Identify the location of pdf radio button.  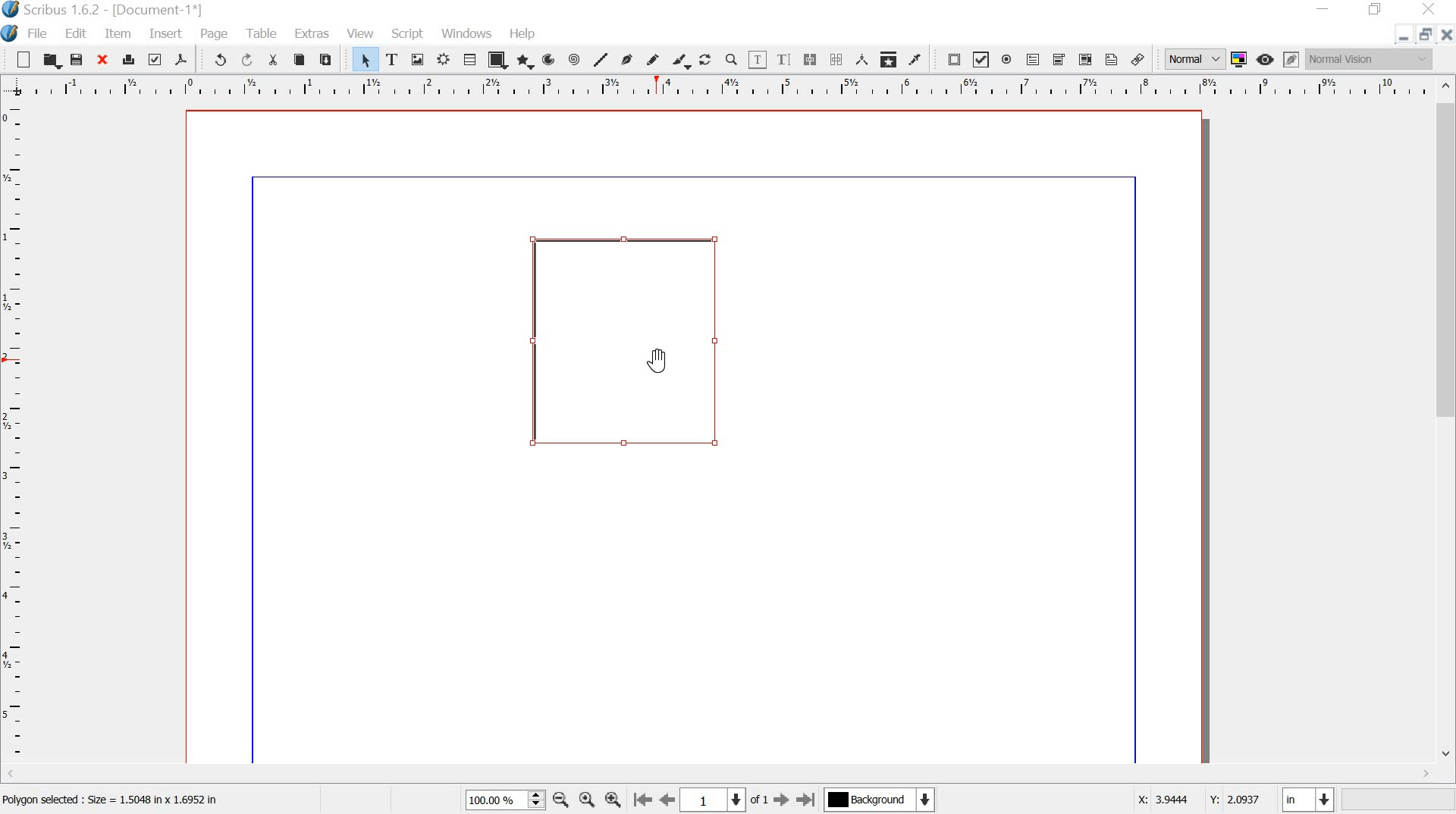
(1009, 61).